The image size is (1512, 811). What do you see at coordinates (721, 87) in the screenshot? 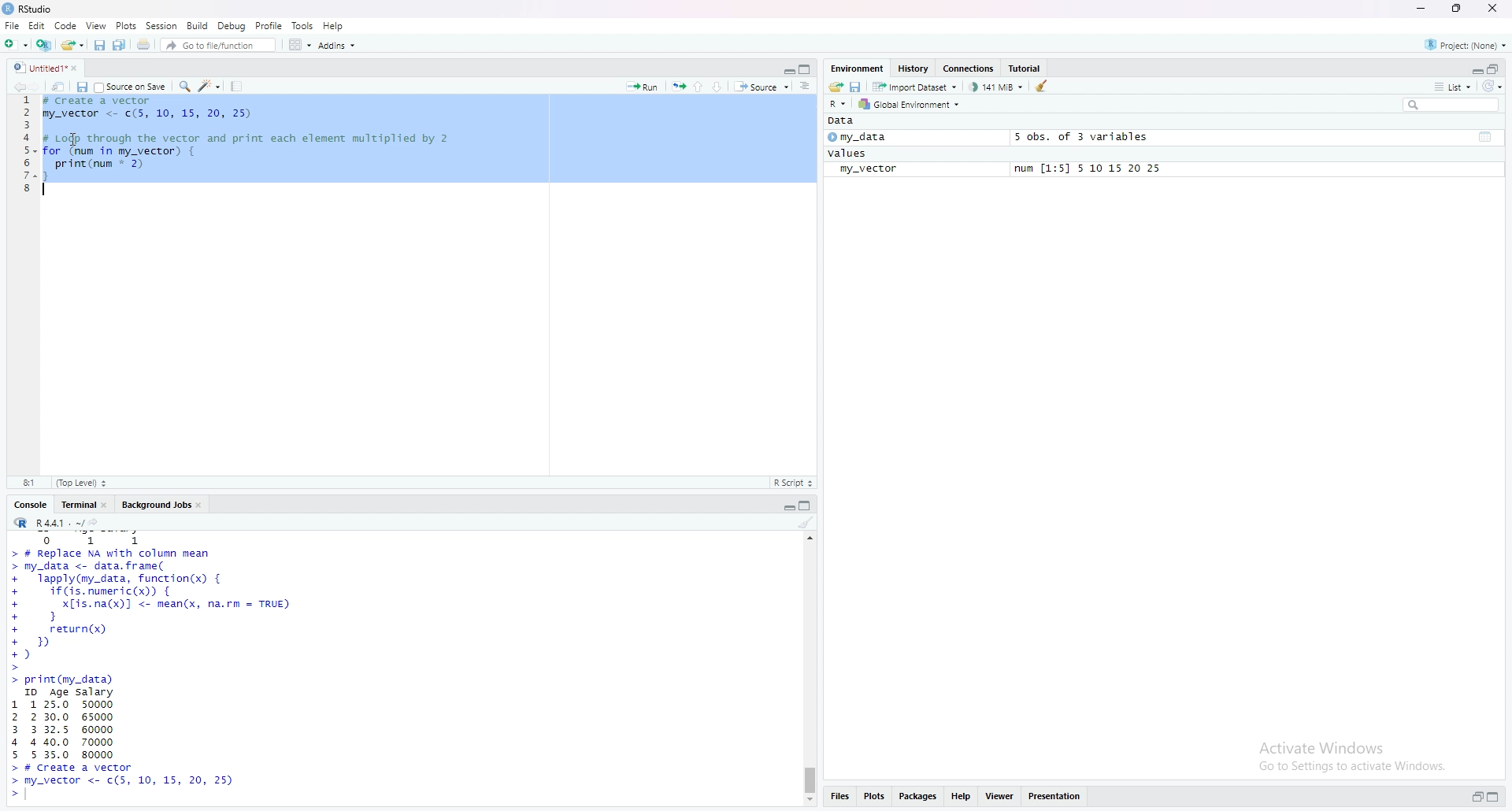
I see `go to next section` at bounding box center [721, 87].